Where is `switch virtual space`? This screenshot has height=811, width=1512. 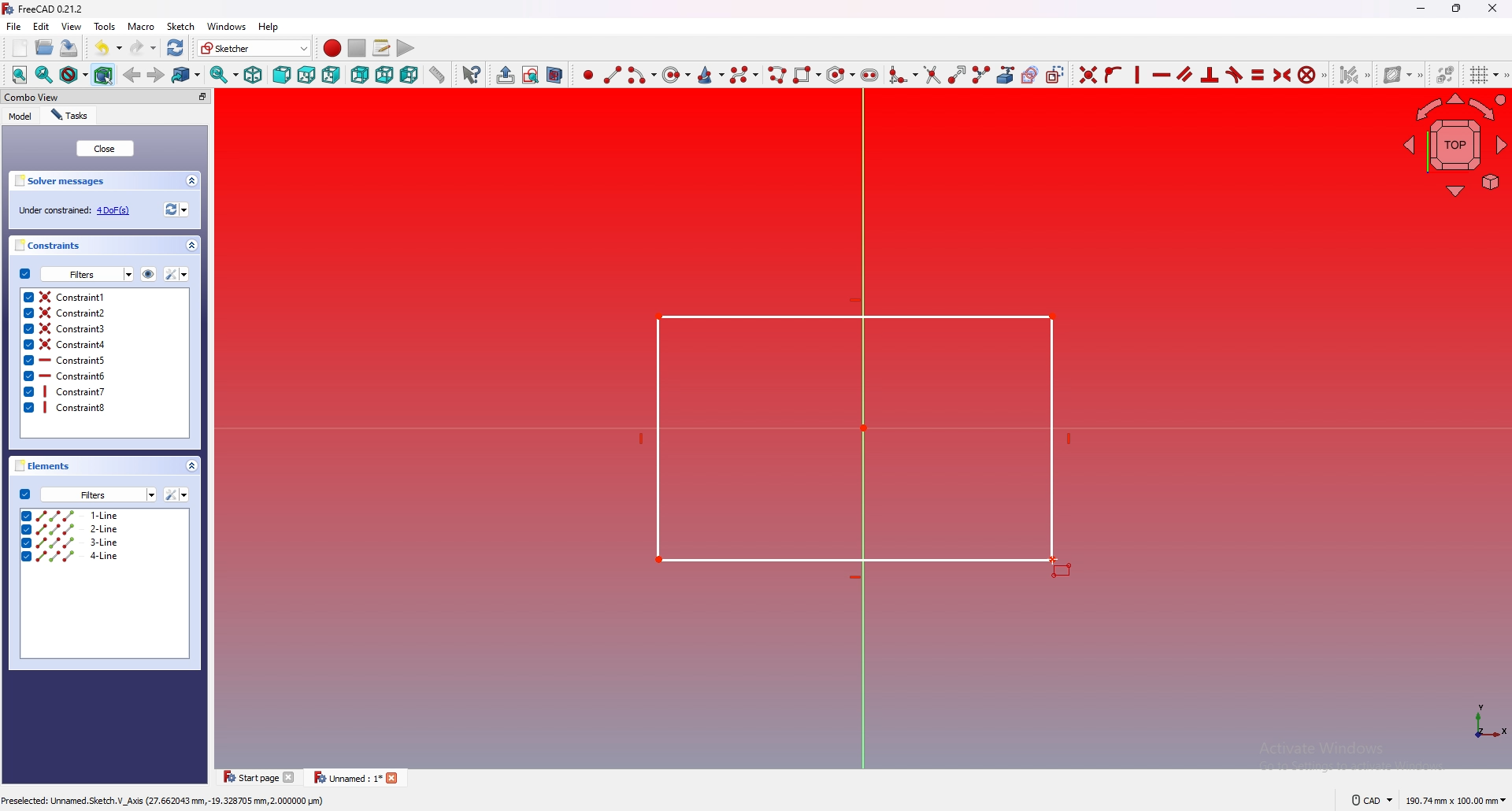 switch virtual space is located at coordinates (1446, 74).